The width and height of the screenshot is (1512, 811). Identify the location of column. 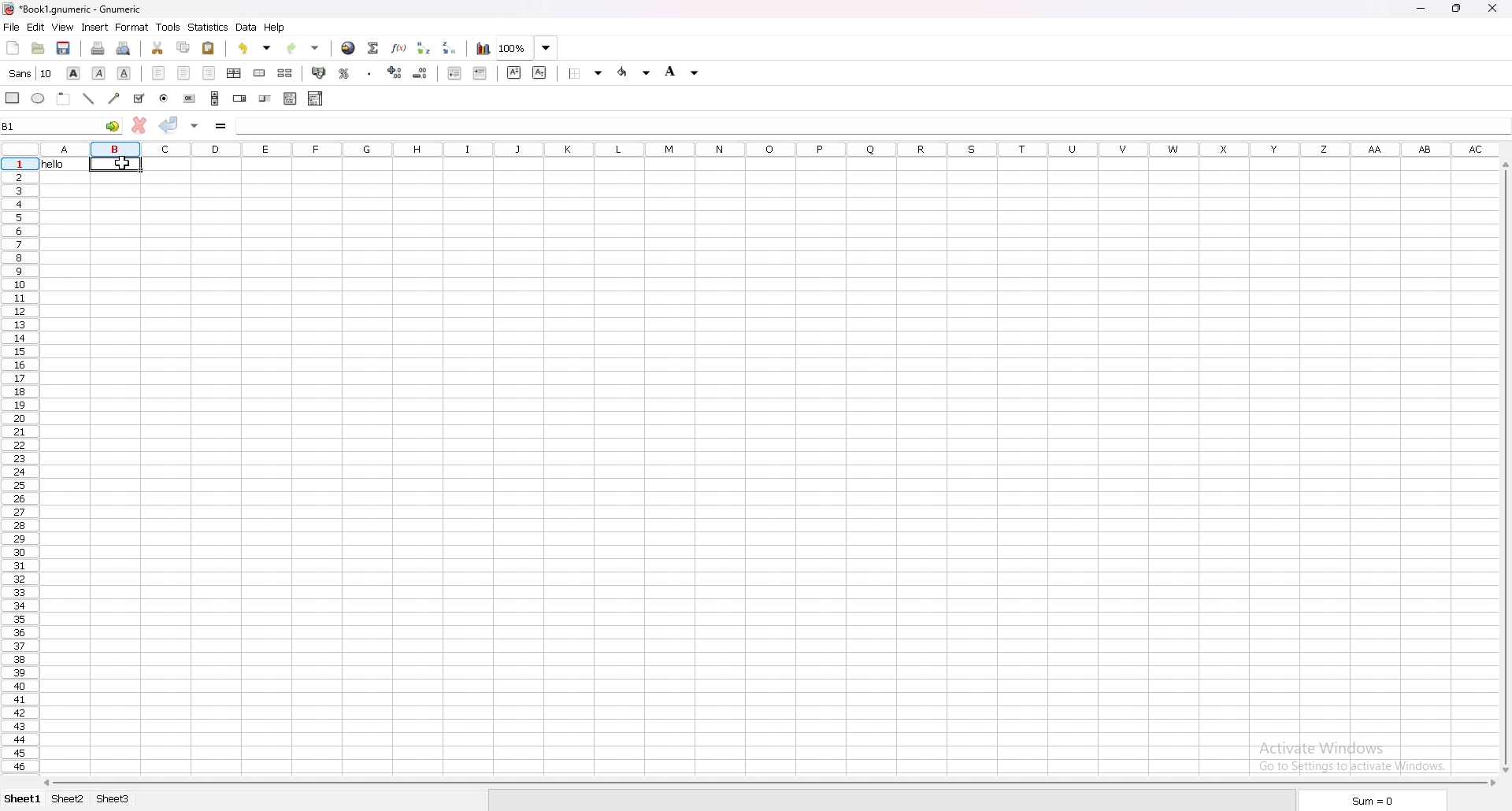
(771, 149).